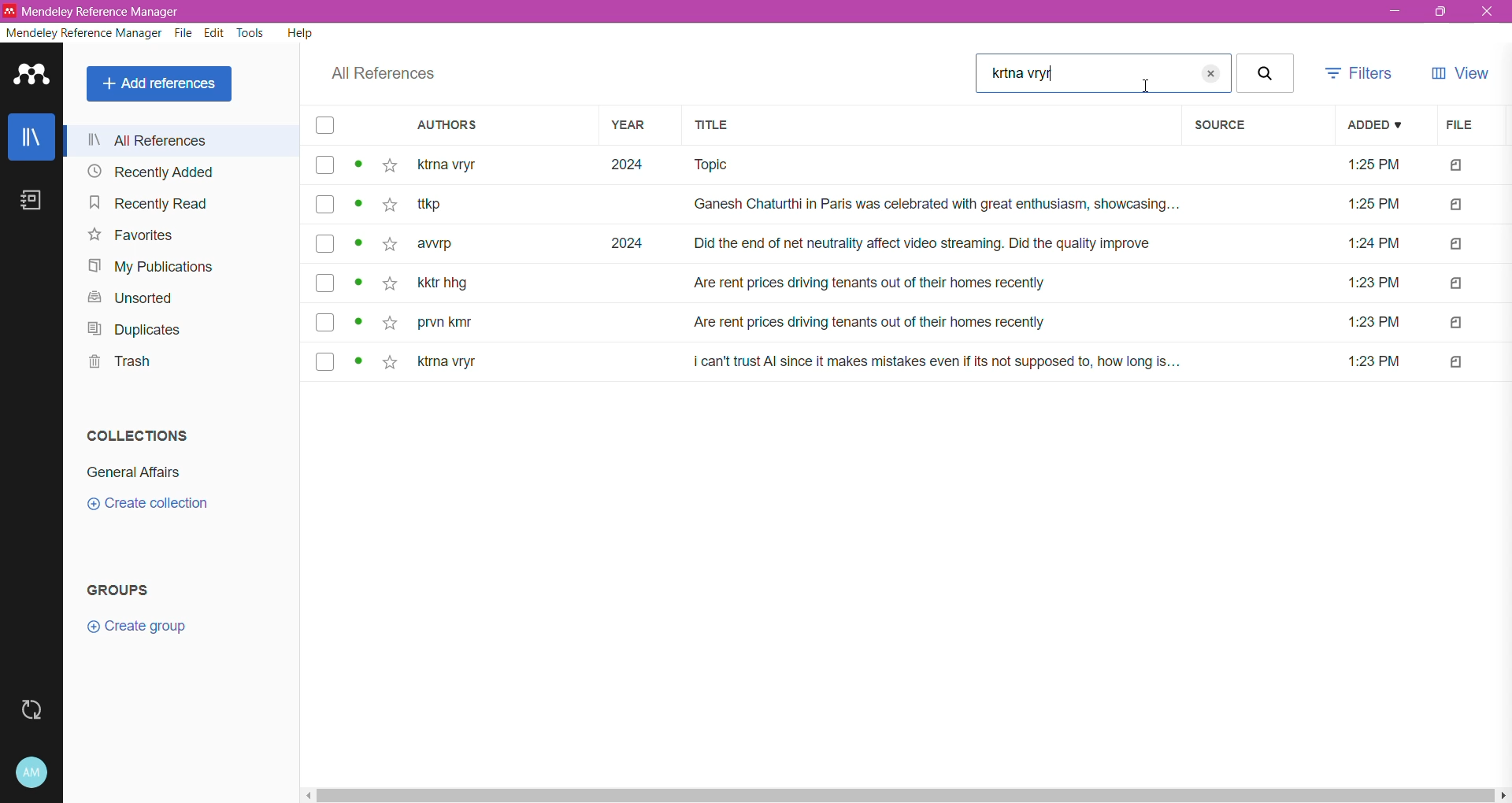 This screenshot has width=1512, height=803. I want to click on click here to add to favourites, so click(387, 322).